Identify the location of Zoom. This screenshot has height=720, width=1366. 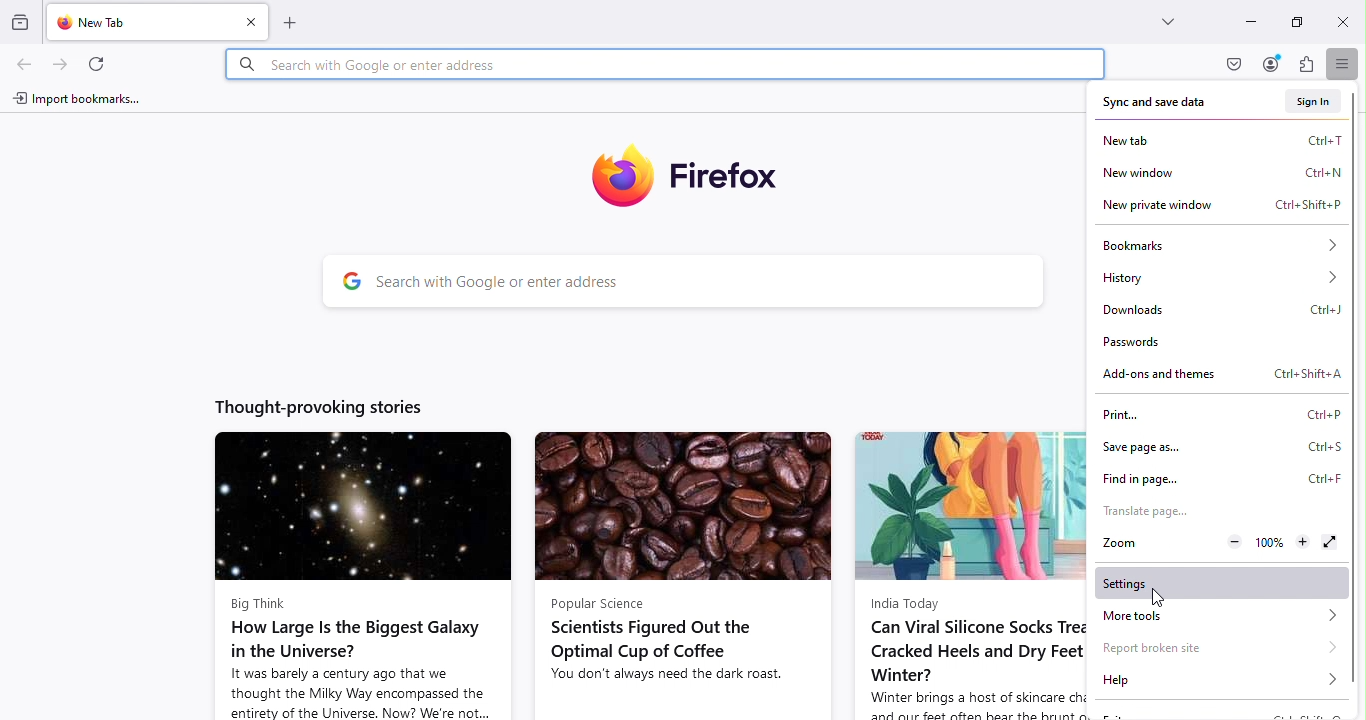
(1118, 544).